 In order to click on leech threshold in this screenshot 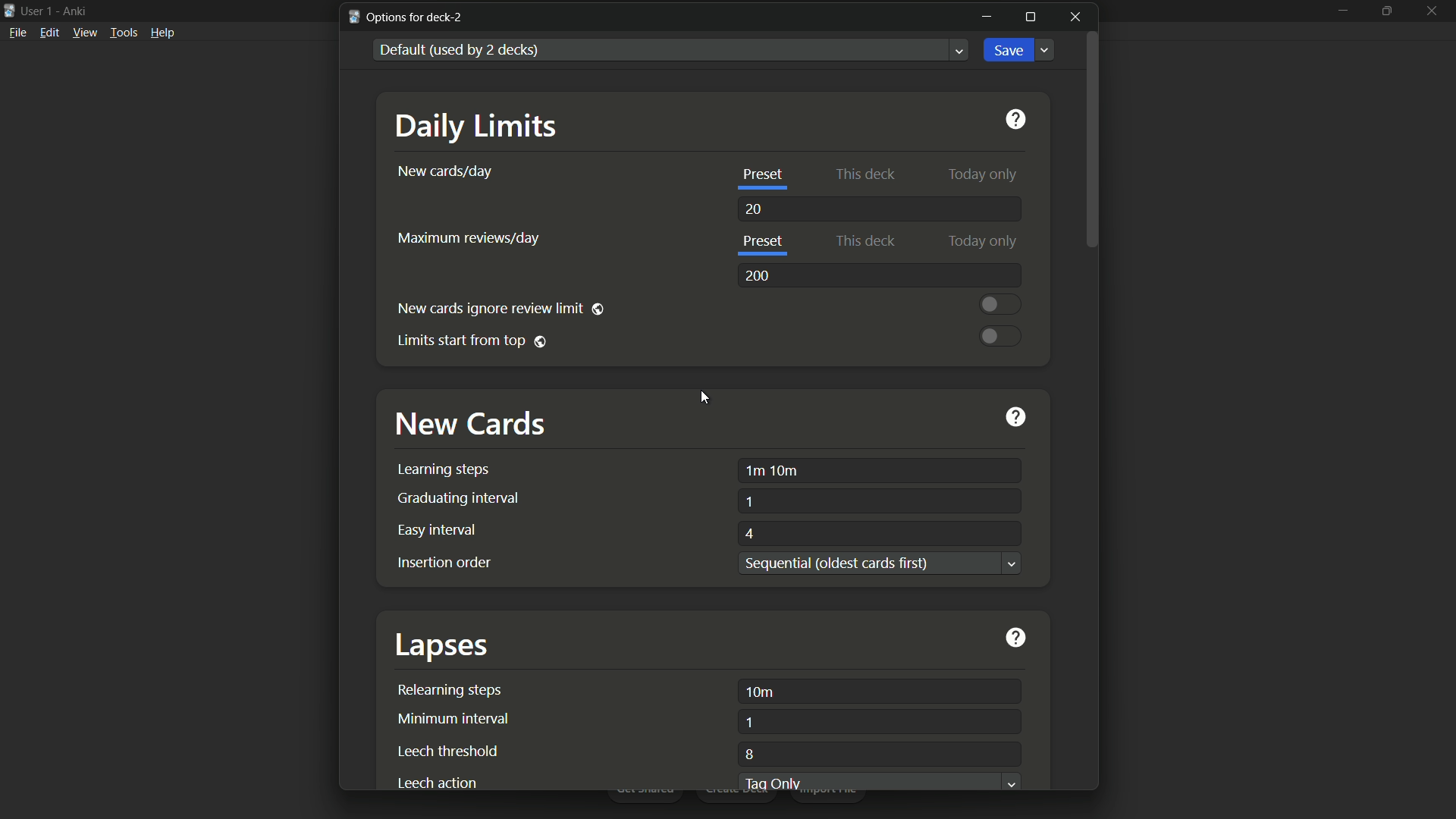, I will do `click(448, 748)`.